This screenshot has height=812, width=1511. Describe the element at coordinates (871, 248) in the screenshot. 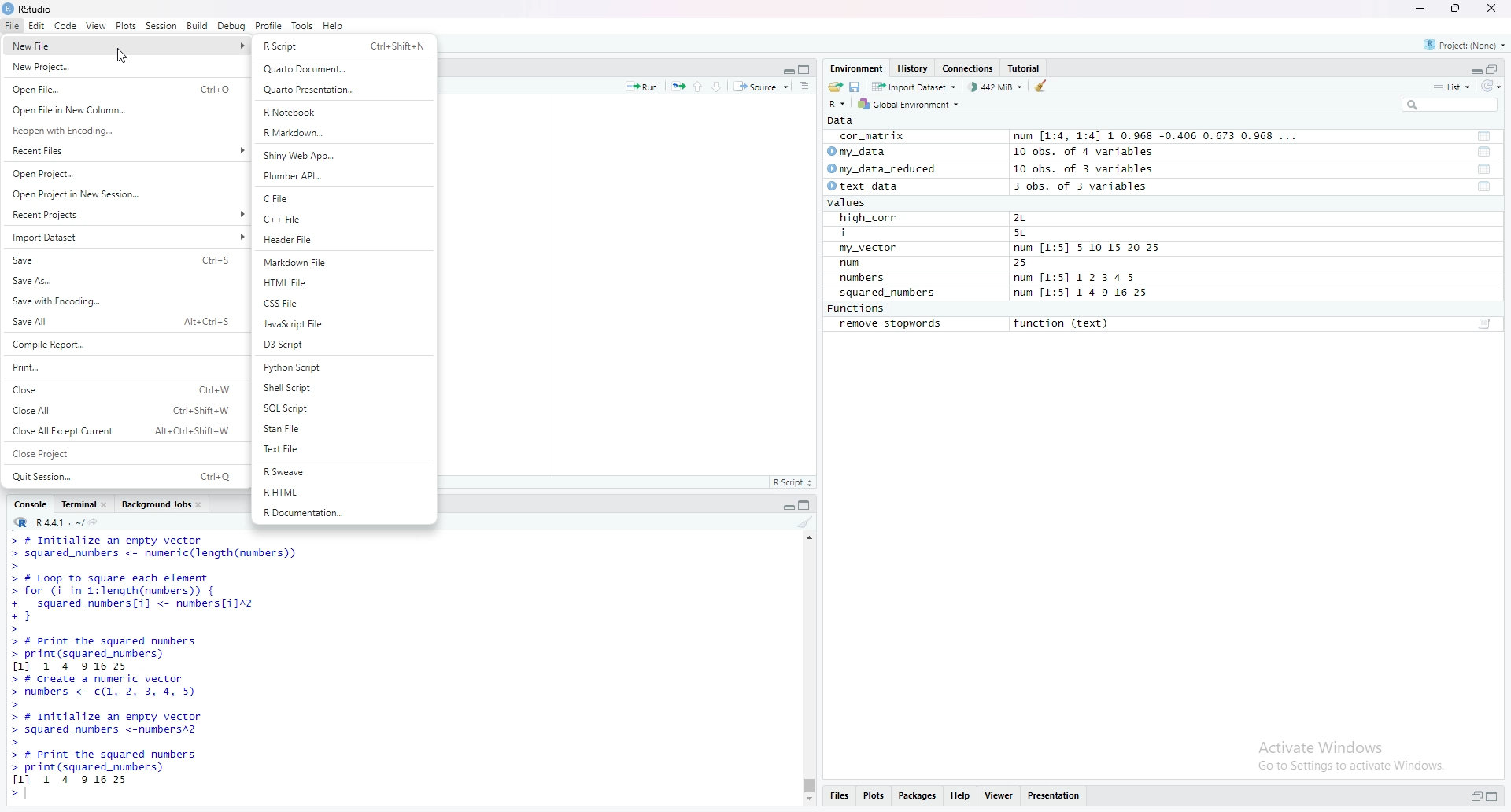

I see `my_vector` at that location.